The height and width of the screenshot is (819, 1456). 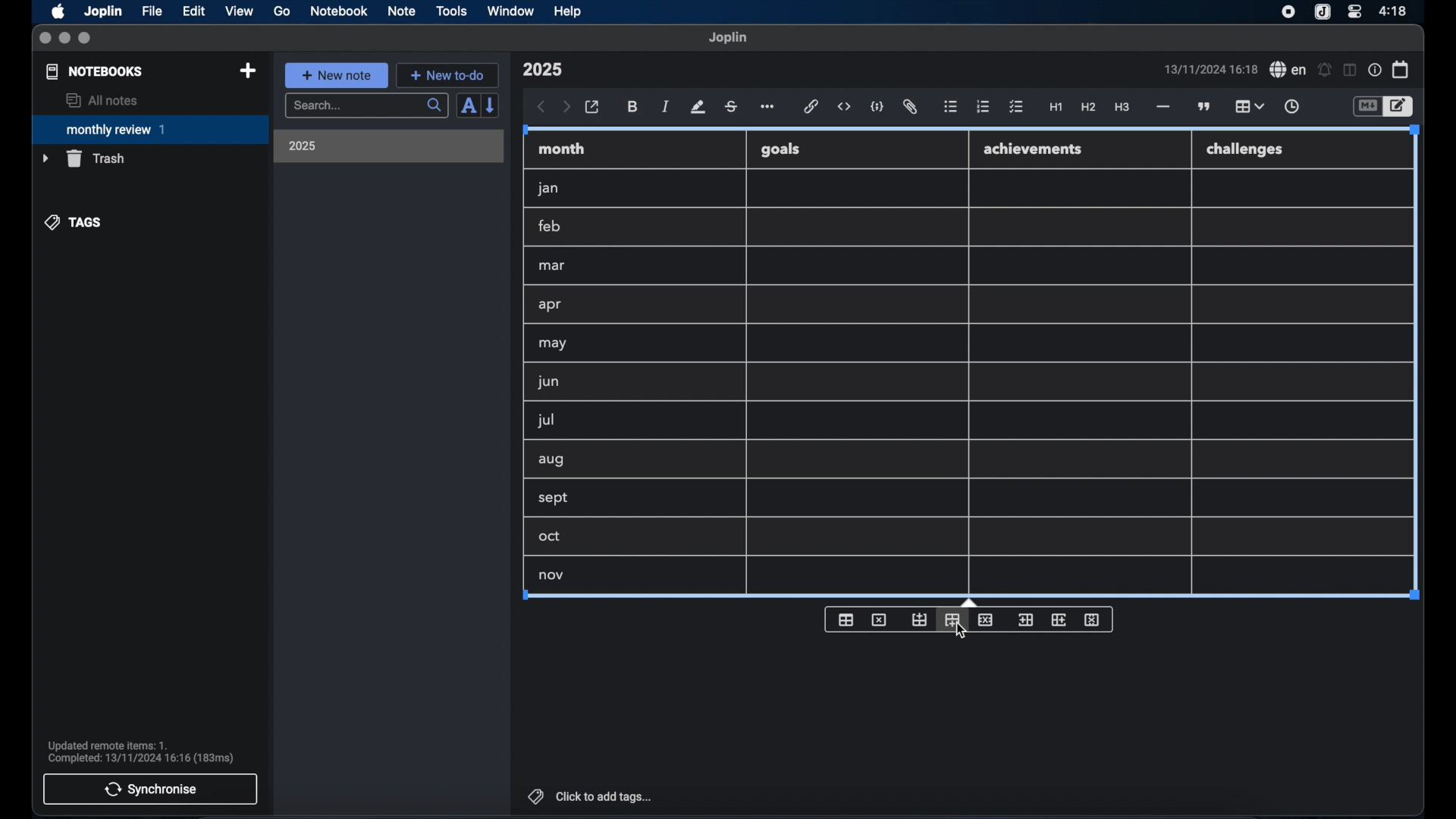 I want to click on table highlighted, so click(x=1247, y=106).